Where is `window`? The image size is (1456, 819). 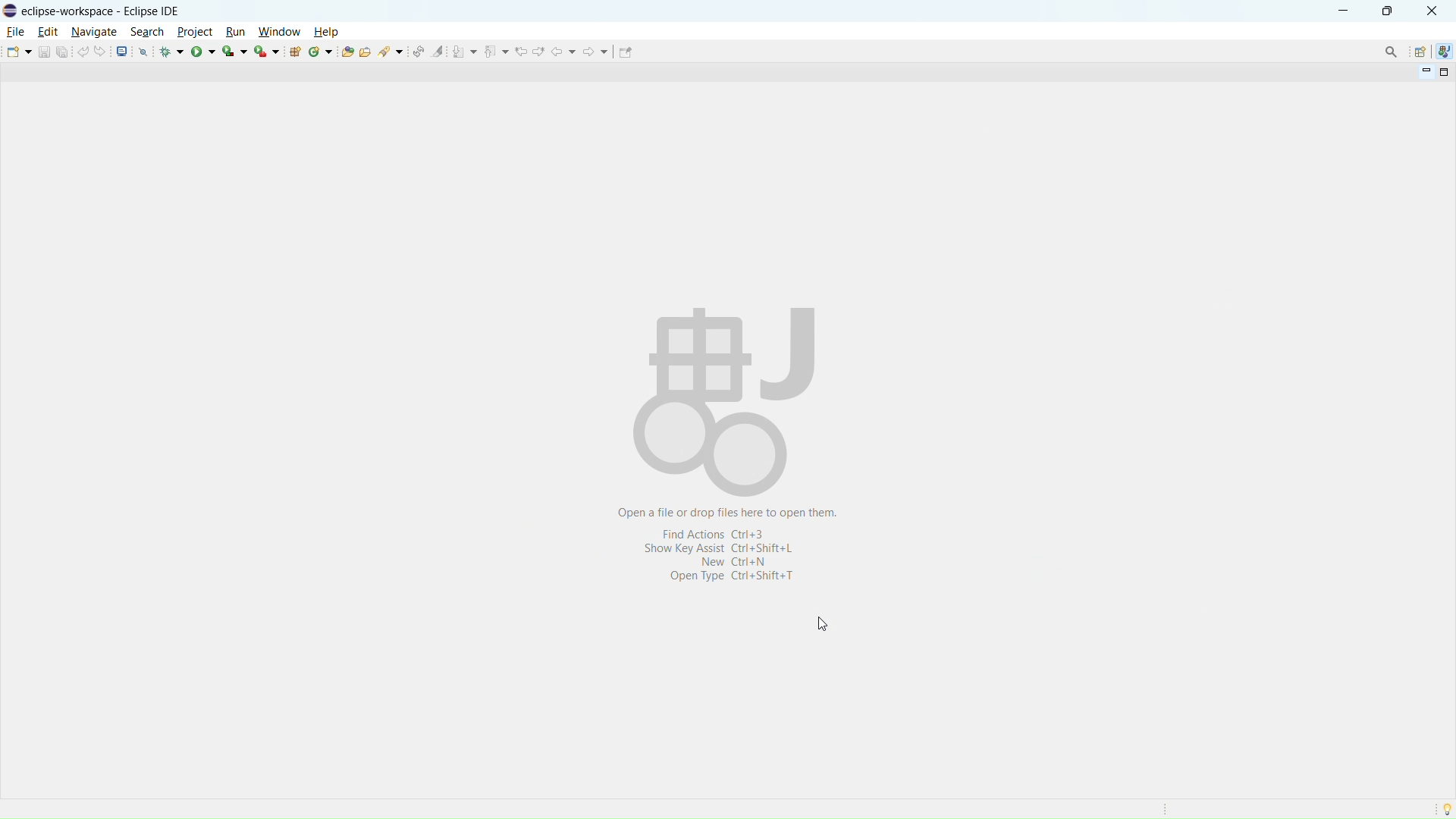
window is located at coordinates (279, 32).